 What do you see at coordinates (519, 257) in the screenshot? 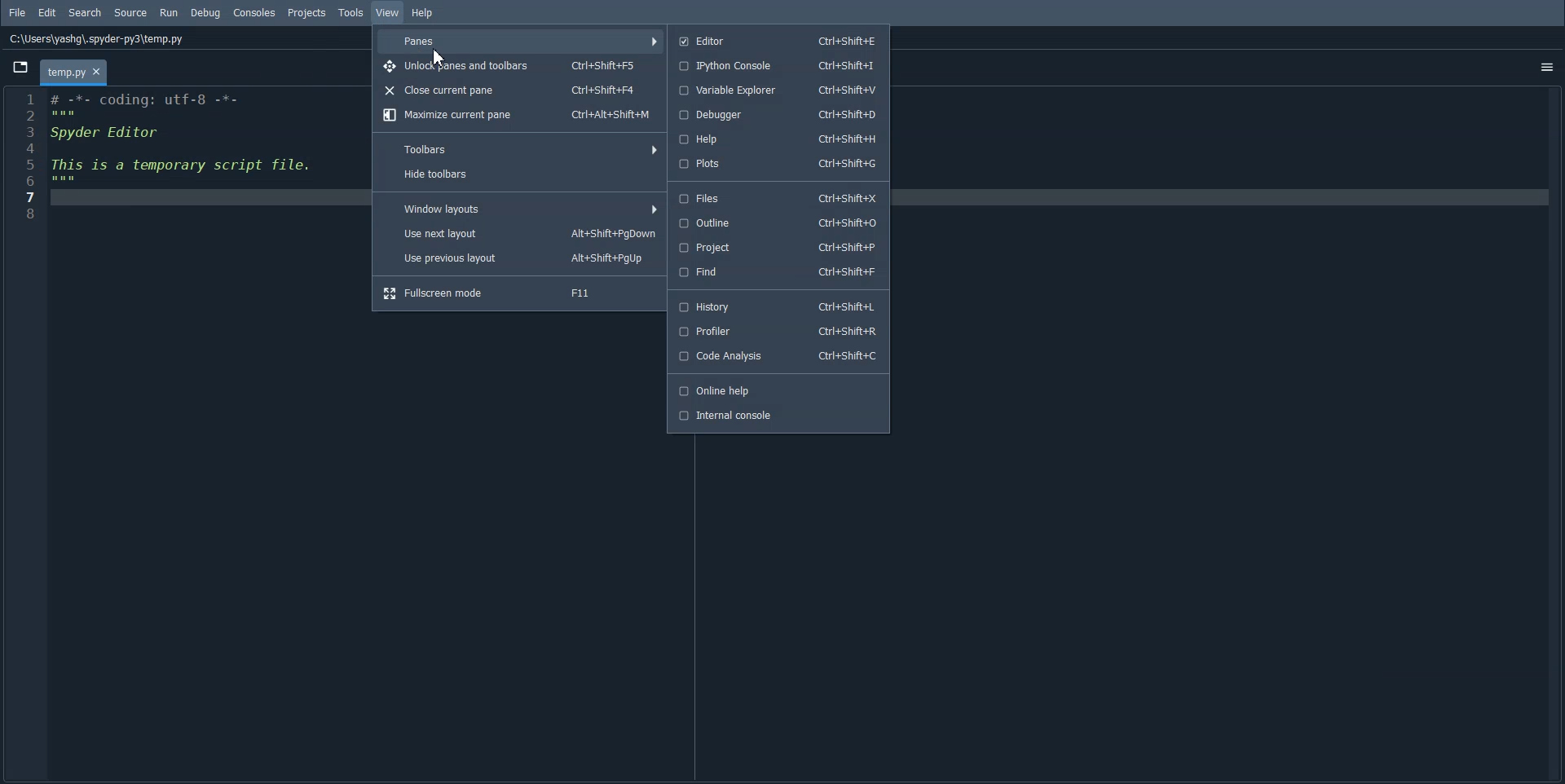
I see `Use previous layout` at bounding box center [519, 257].